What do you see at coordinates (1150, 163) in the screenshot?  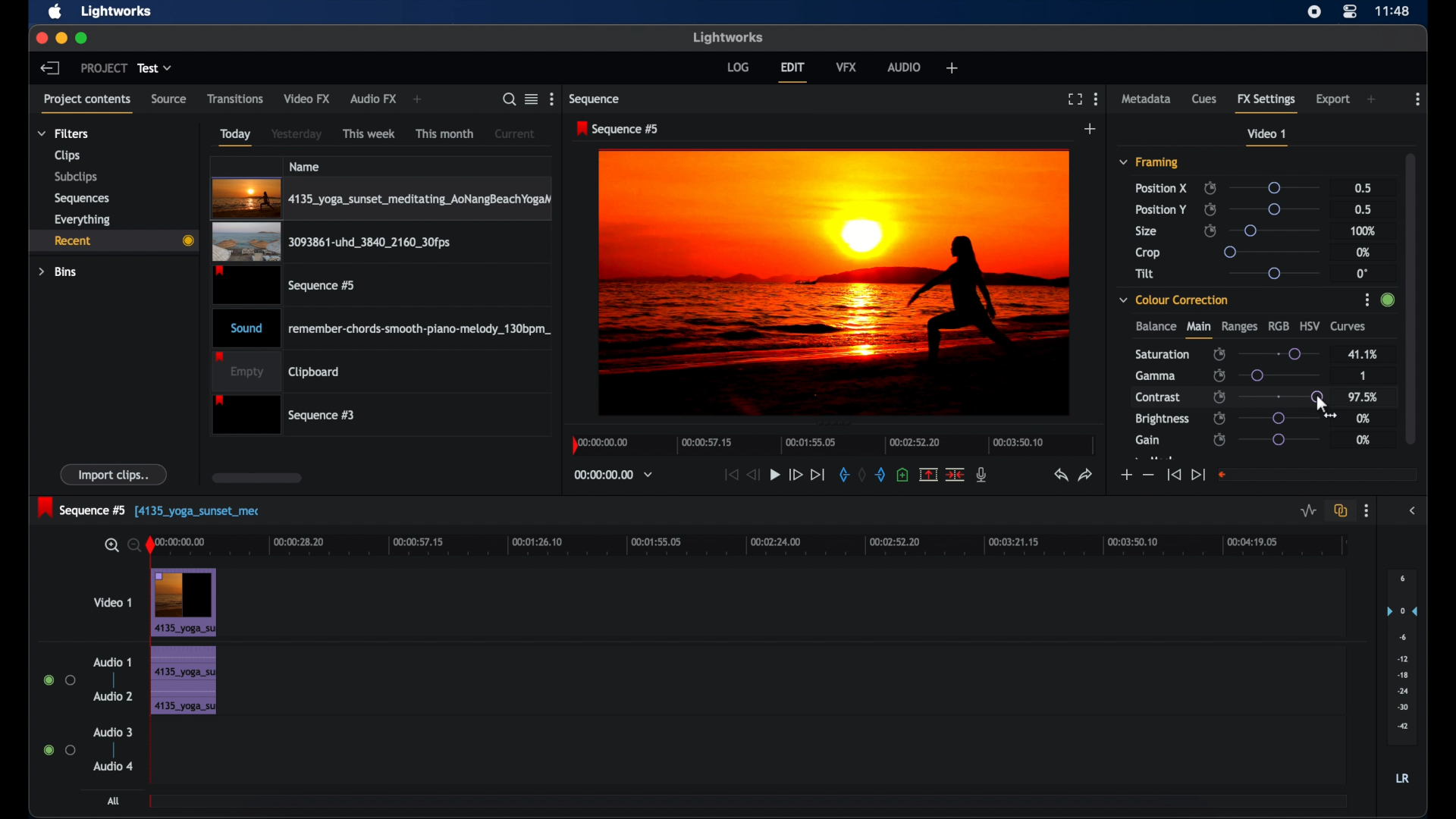 I see `framing` at bounding box center [1150, 163].